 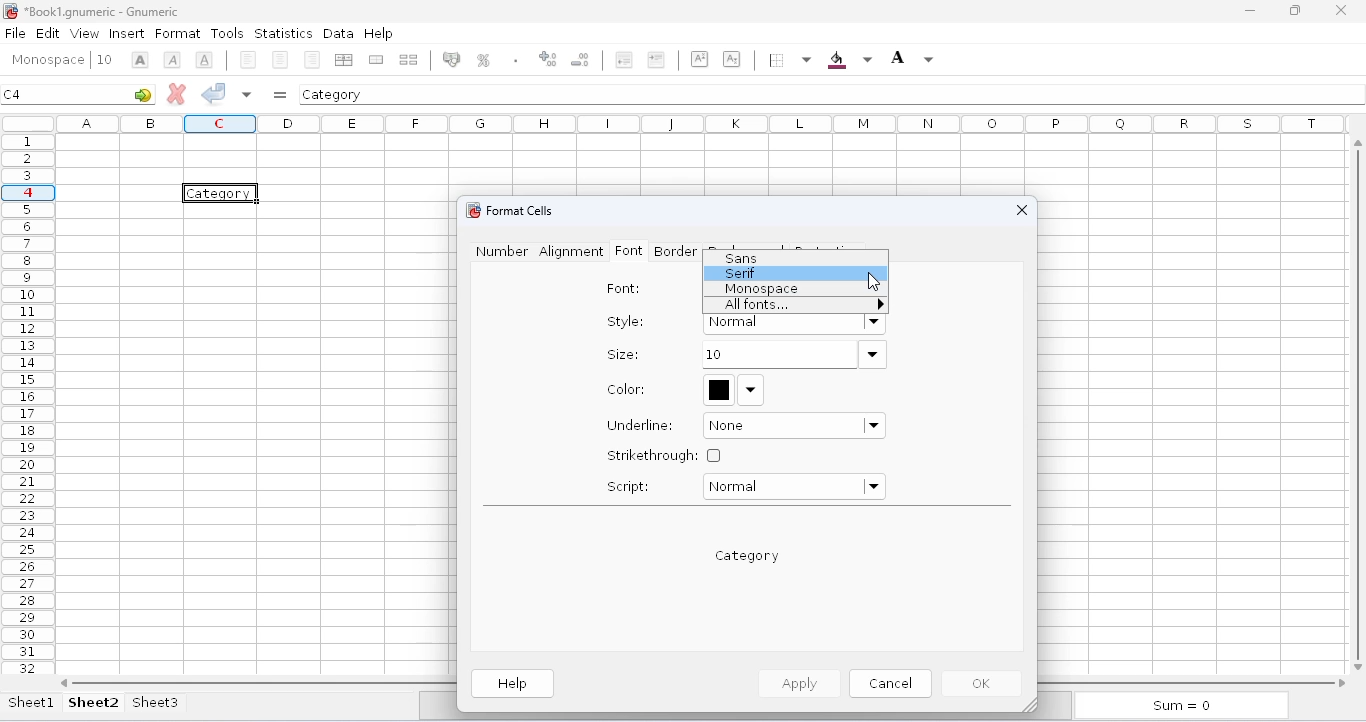 I want to click on logo, so click(x=10, y=11).